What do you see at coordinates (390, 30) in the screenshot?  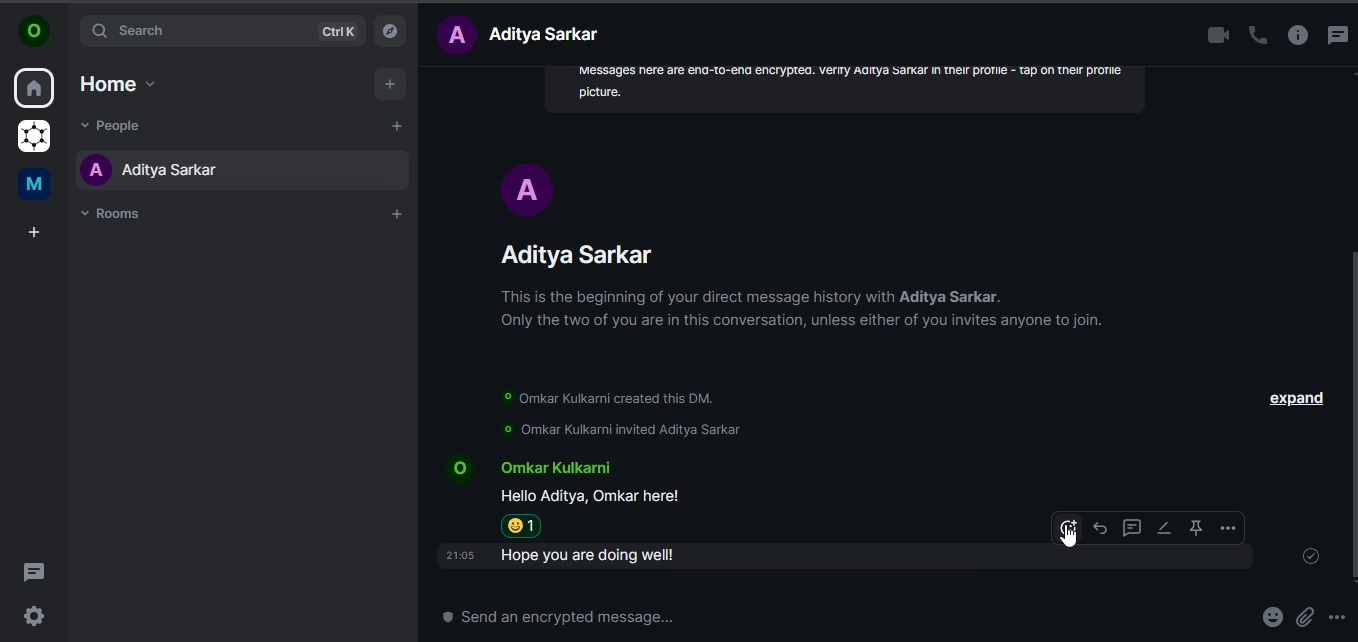 I see `explore rooms` at bounding box center [390, 30].